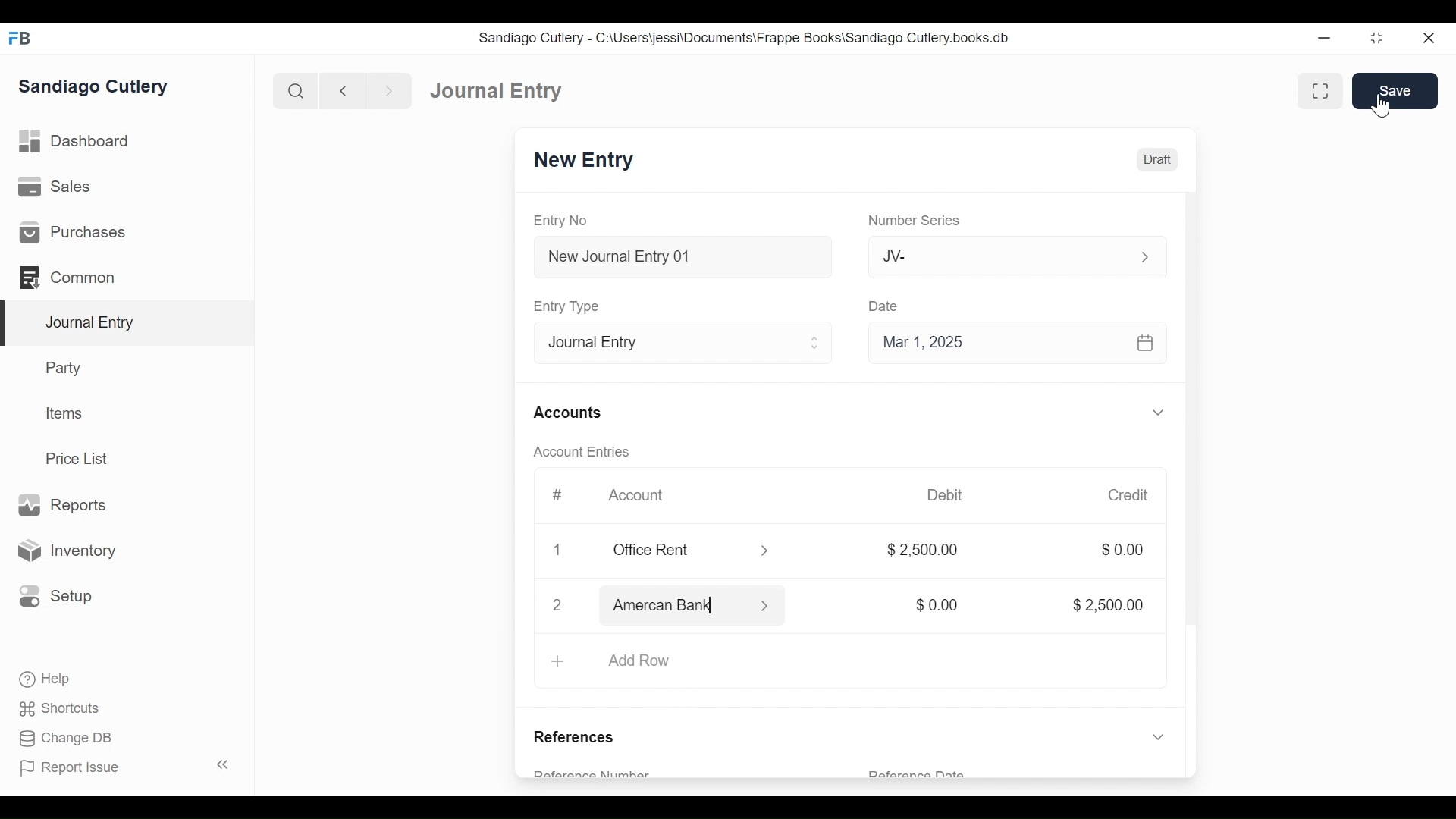 The width and height of the screenshot is (1456, 819). Describe the element at coordinates (1128, 495) in the screenshot. I see `Credit` at that location.